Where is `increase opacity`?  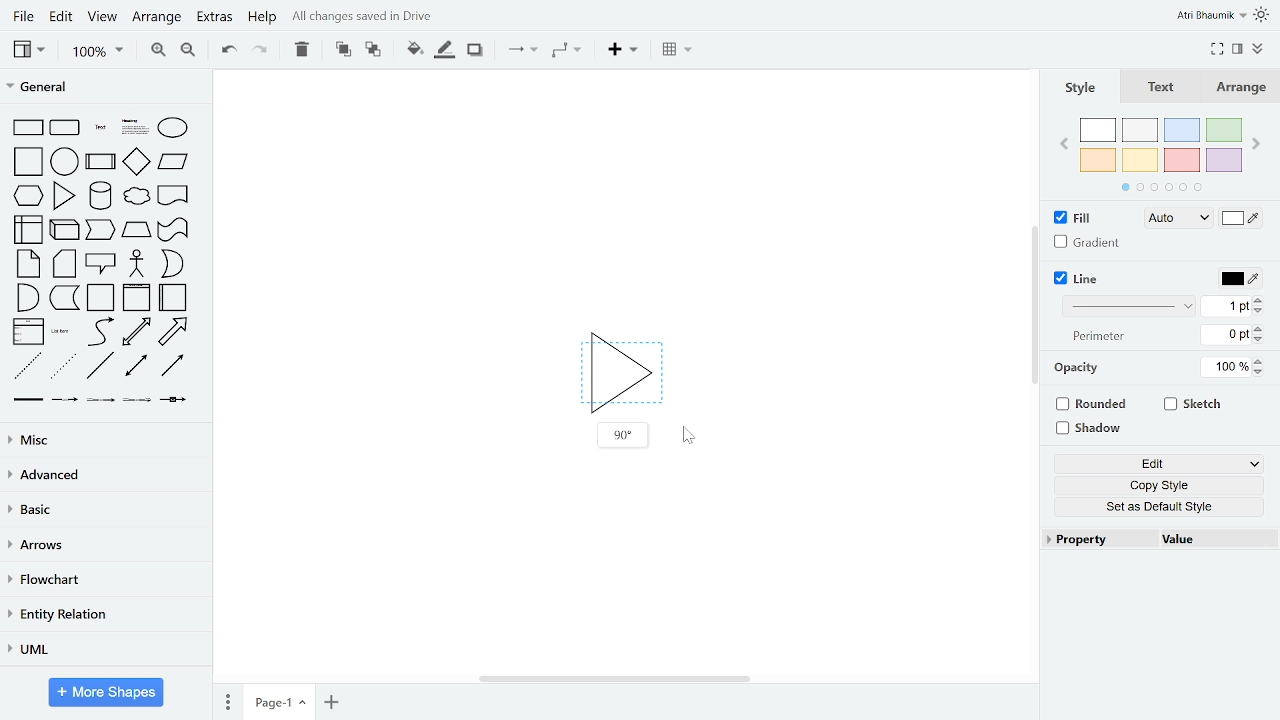 increase opacity is located at coordinates (1261, 361).